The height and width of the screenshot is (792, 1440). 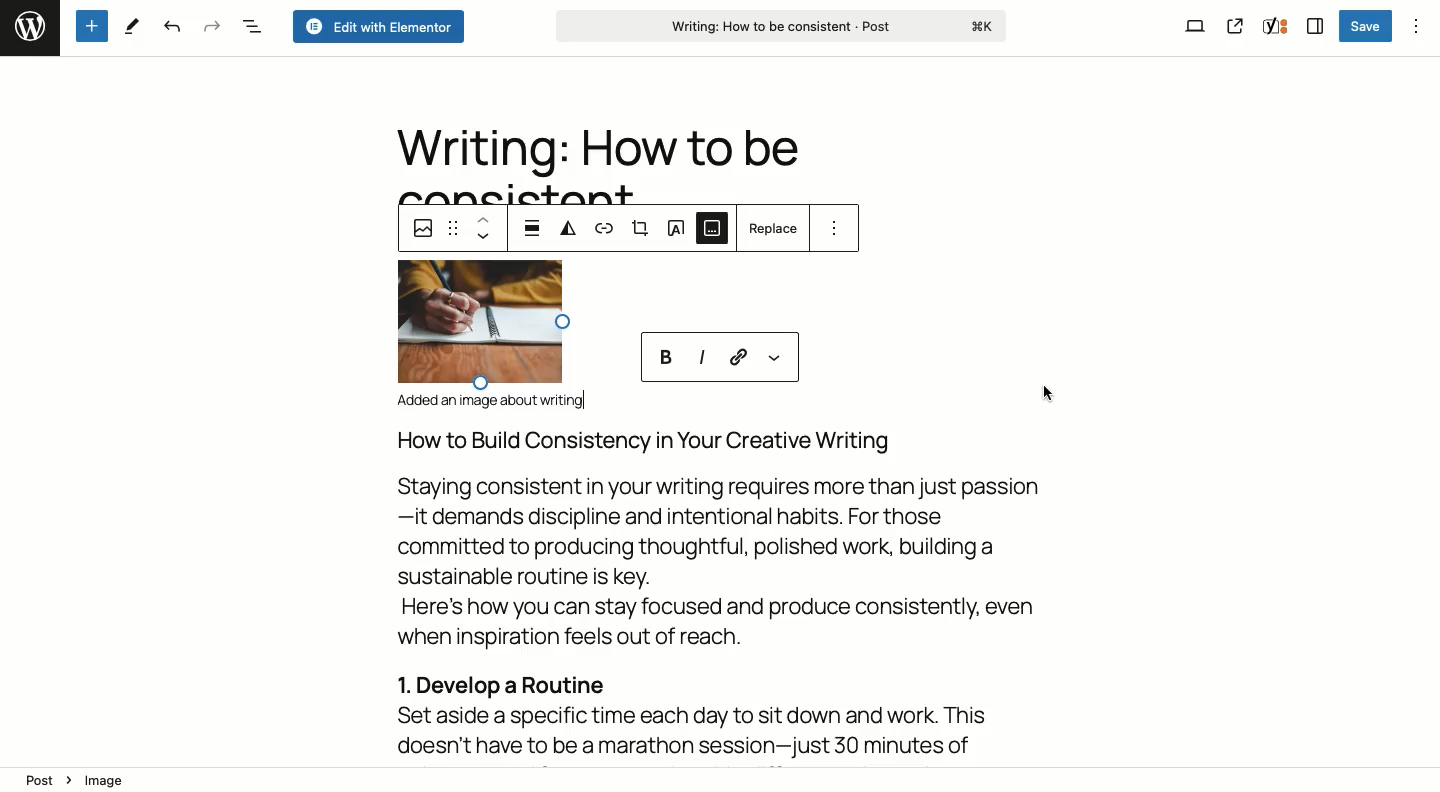 I want to click on Text over image, so click(x=677, y=227).